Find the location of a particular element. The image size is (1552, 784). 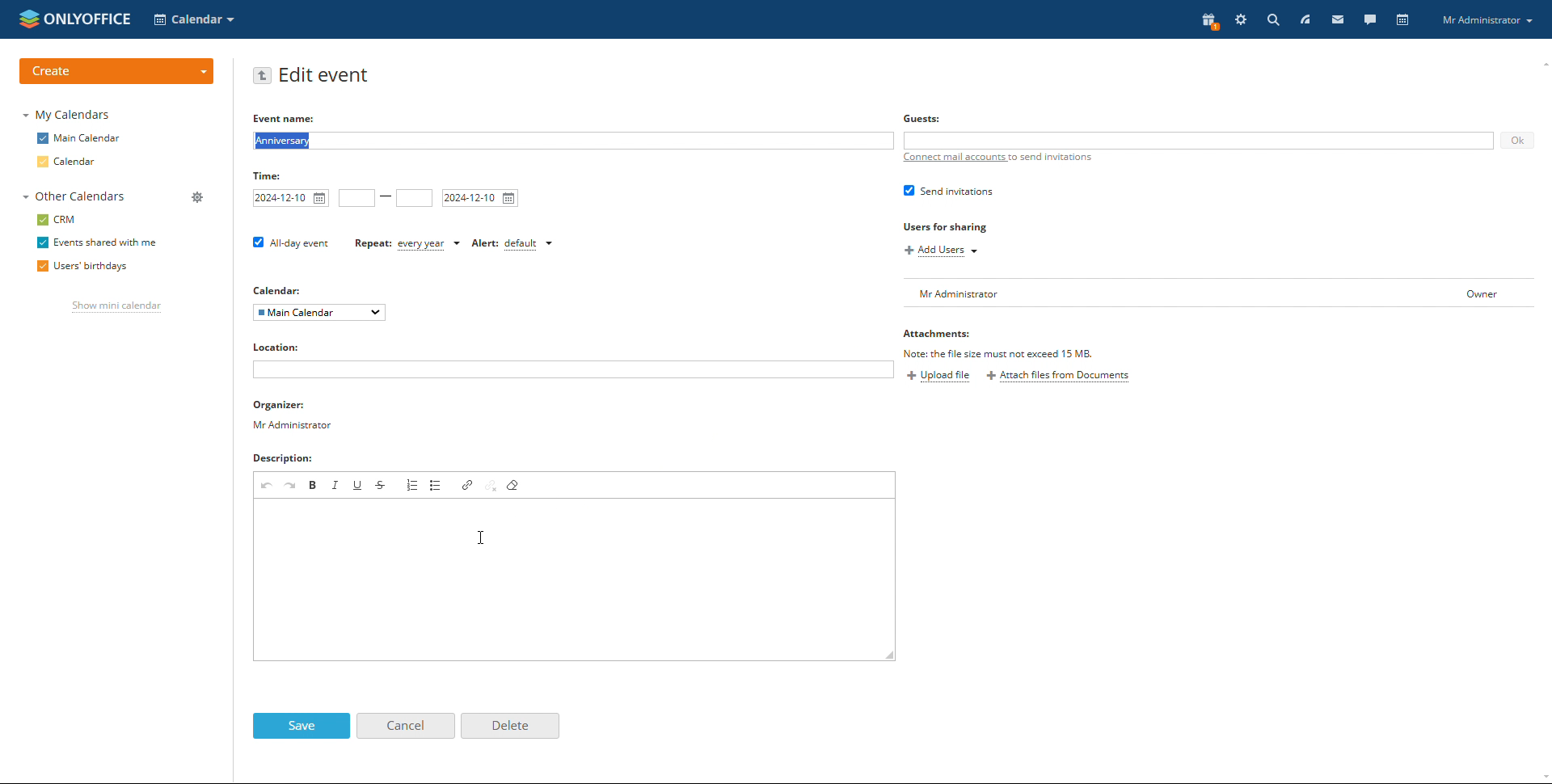

Location: is located at coordinates (278, 346).